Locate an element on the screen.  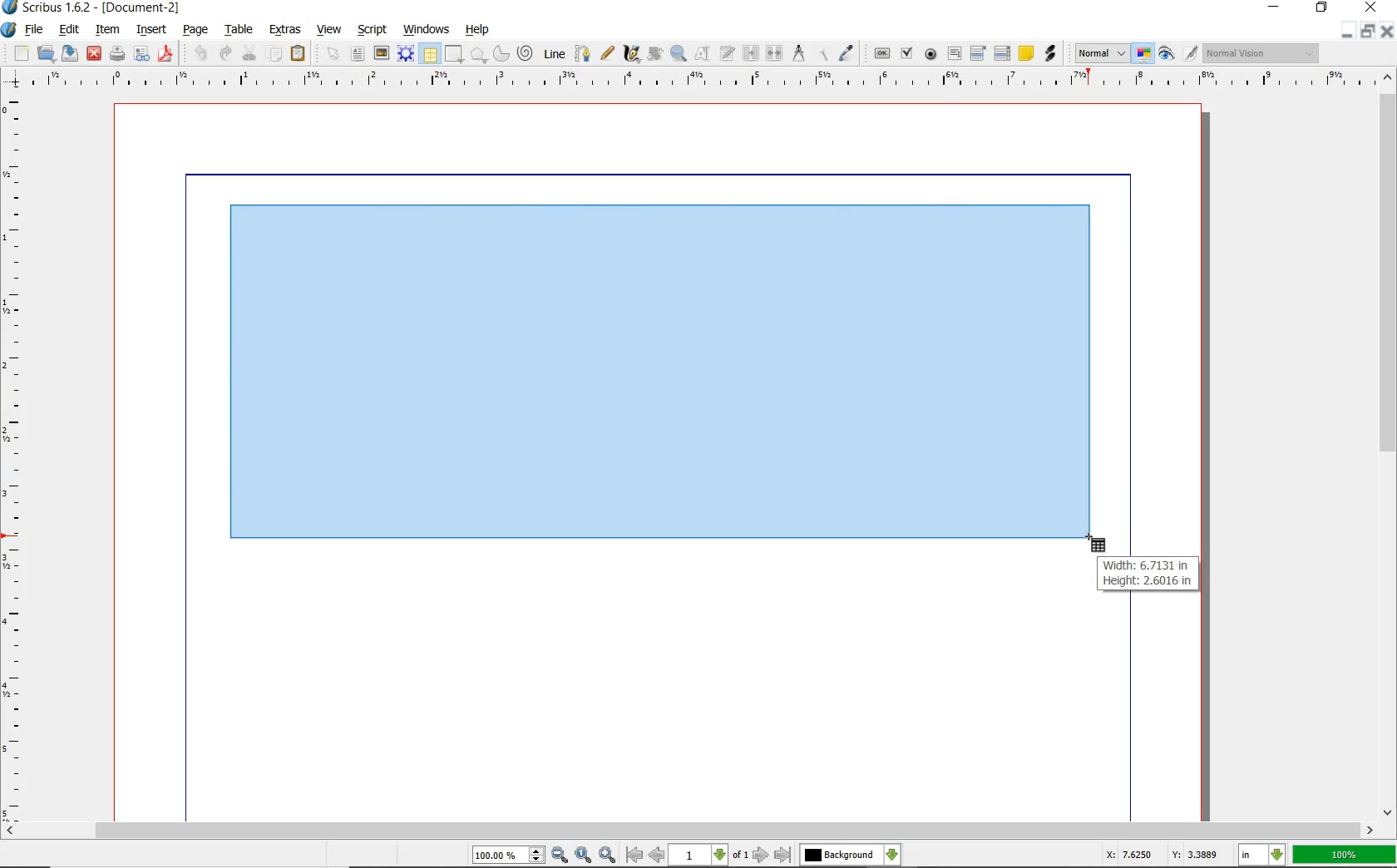
rotate item is located at coordinates (654, 55).